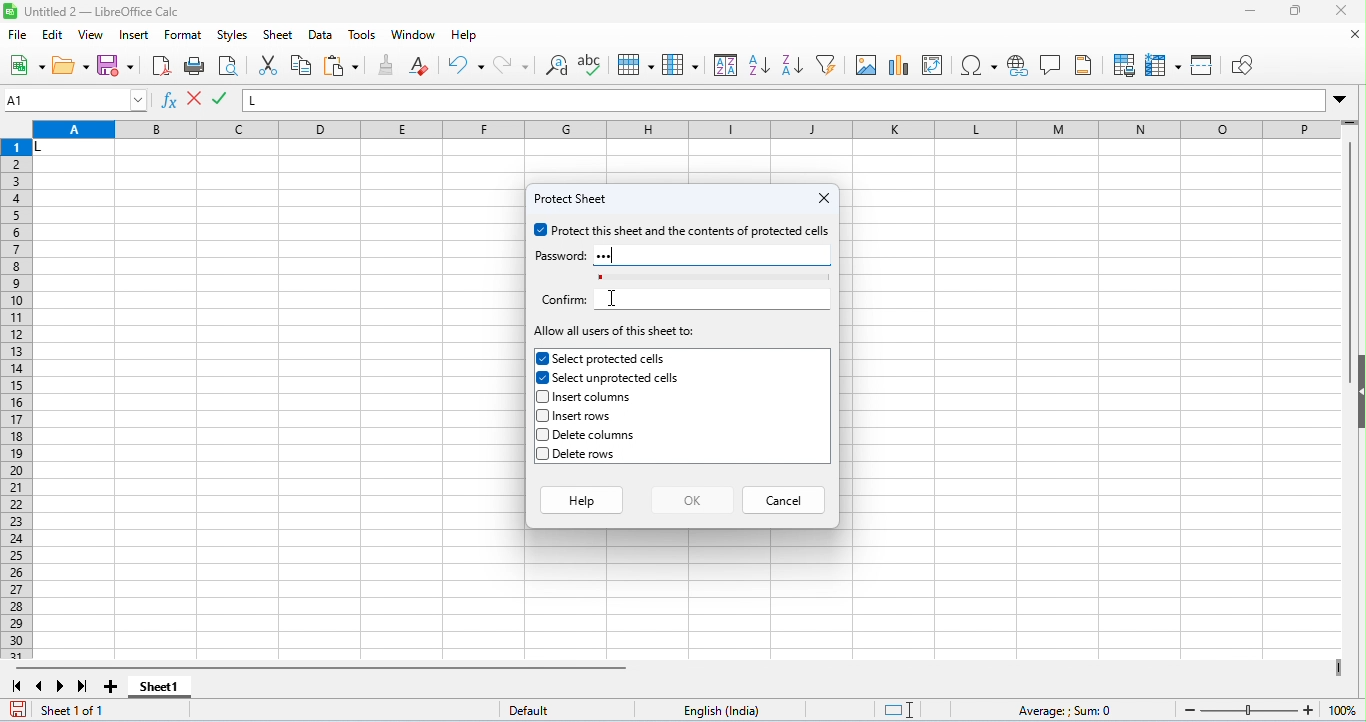  What do you see at coordinates (233, 36) in the screenshot?
I see `styles` at bounding box center [233, 36].